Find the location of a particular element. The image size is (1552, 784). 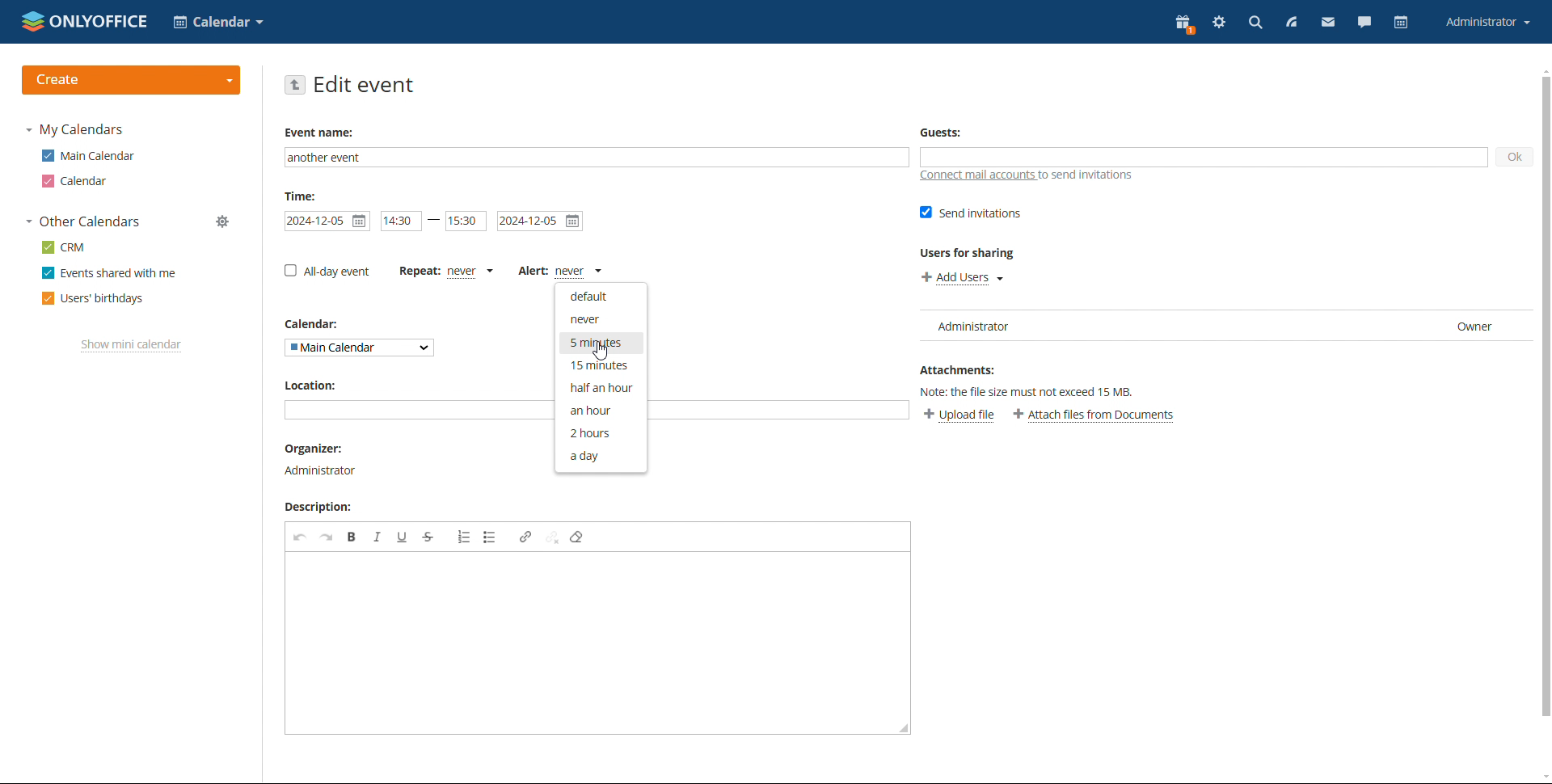

Event name: is located at coordinates (322, 133).